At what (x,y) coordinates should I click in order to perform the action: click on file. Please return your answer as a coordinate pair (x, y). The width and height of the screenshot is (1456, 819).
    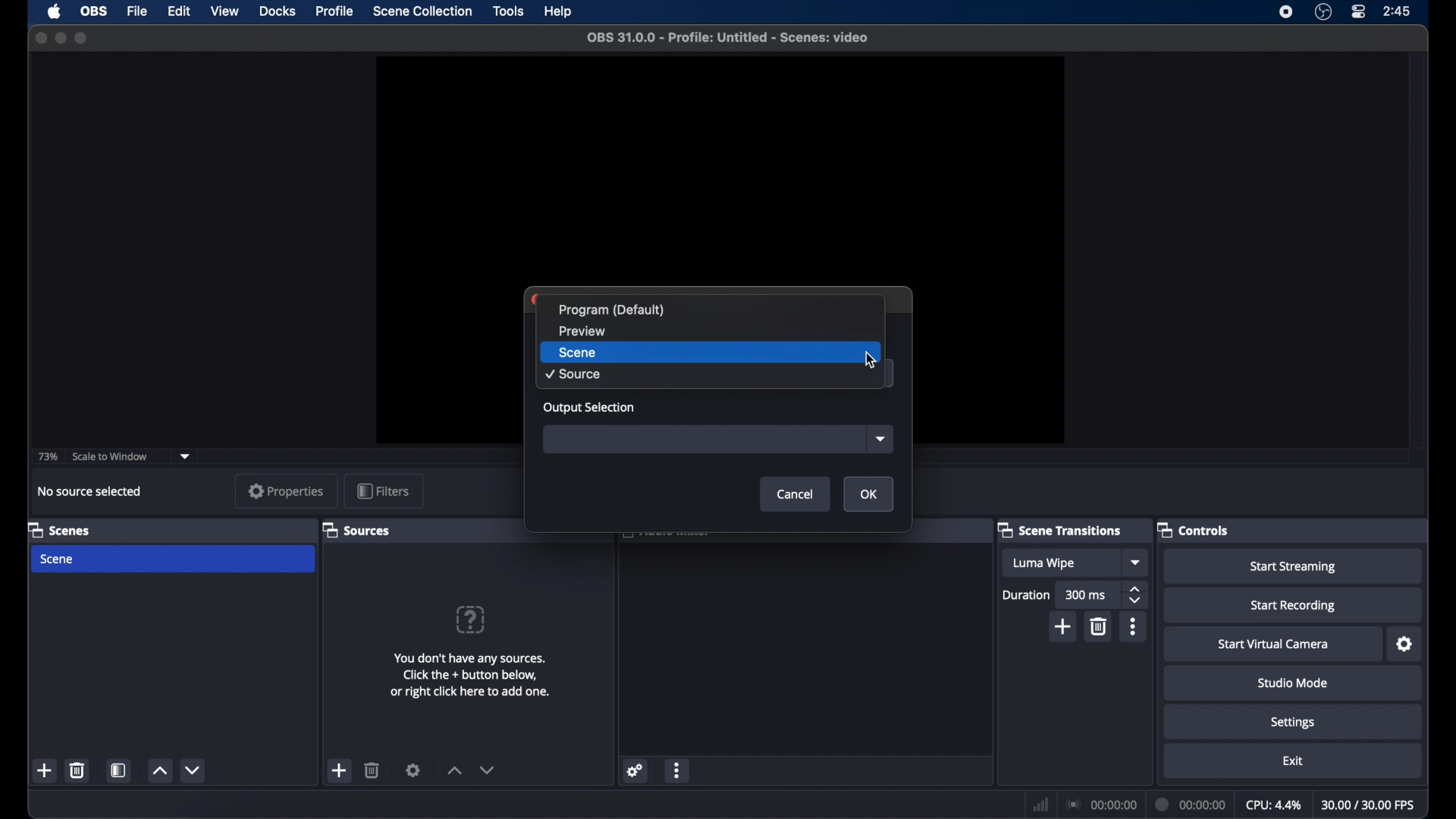
    Looking at the image, I should click on (137, 12).